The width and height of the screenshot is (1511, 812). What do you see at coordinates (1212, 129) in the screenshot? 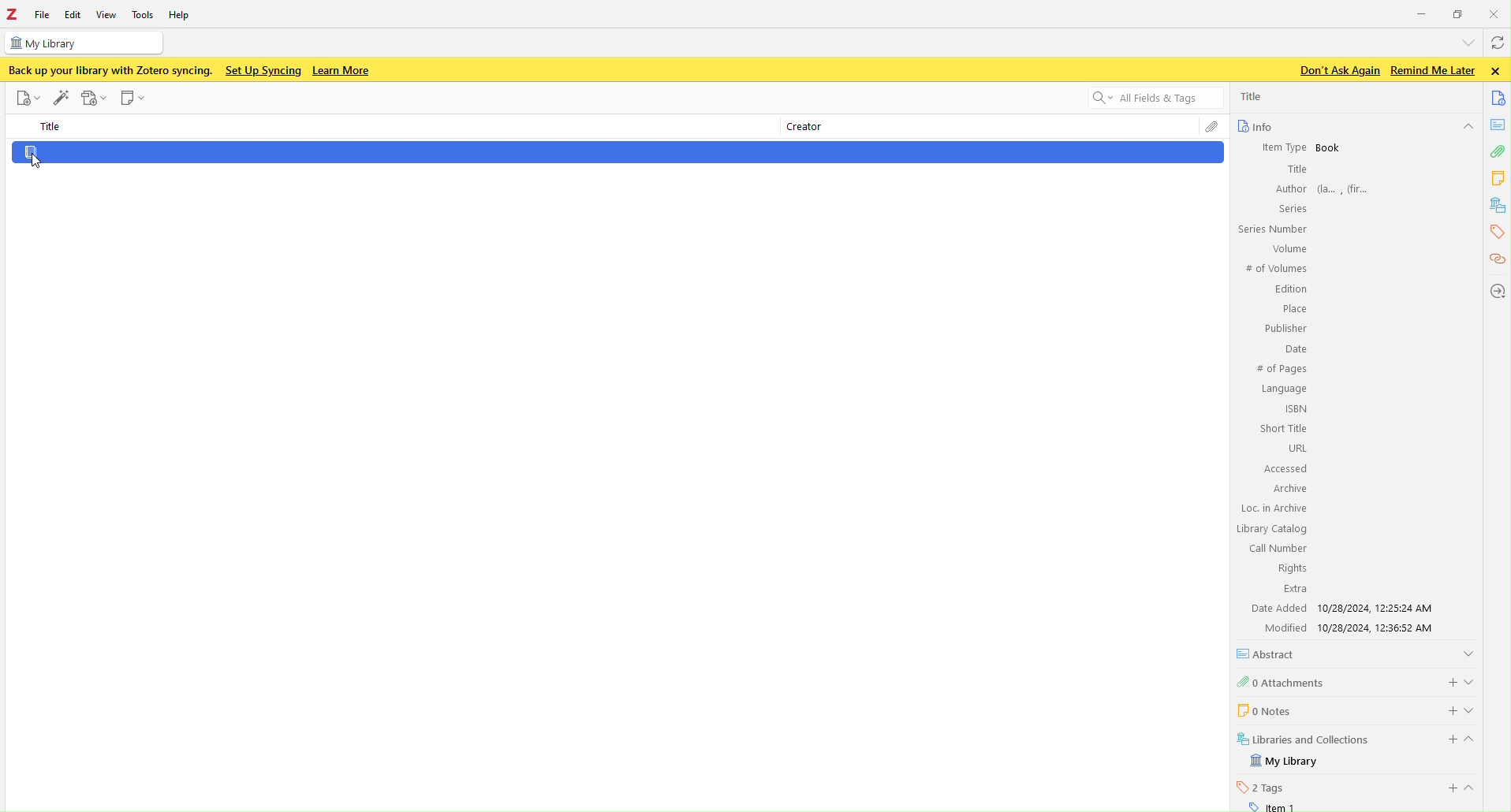
I see `attachments` at bounding box center [1212, 129].